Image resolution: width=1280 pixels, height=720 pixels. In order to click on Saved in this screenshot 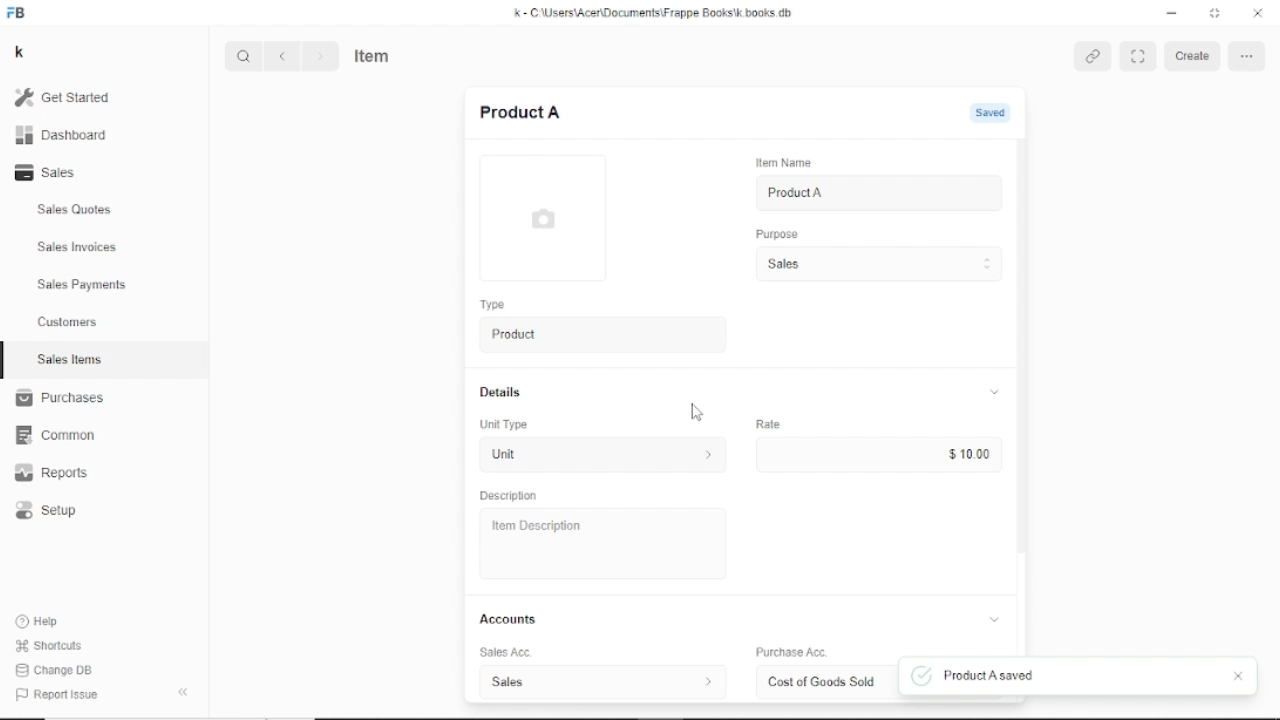, I will do `click(996, 113)`.